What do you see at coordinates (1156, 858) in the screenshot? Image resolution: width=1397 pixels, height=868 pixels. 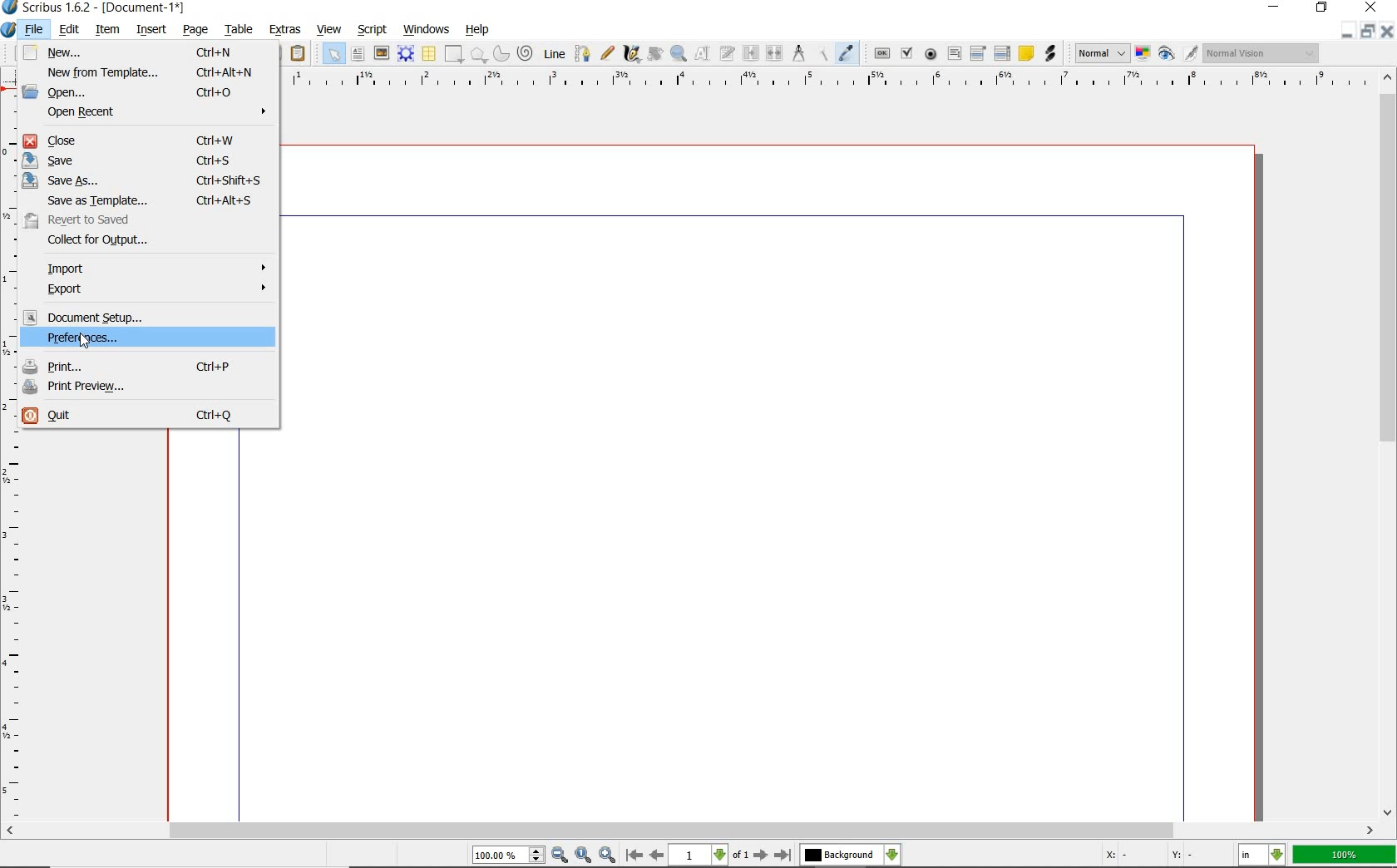 I see `coordinates` at bounding box center [1156, 858].